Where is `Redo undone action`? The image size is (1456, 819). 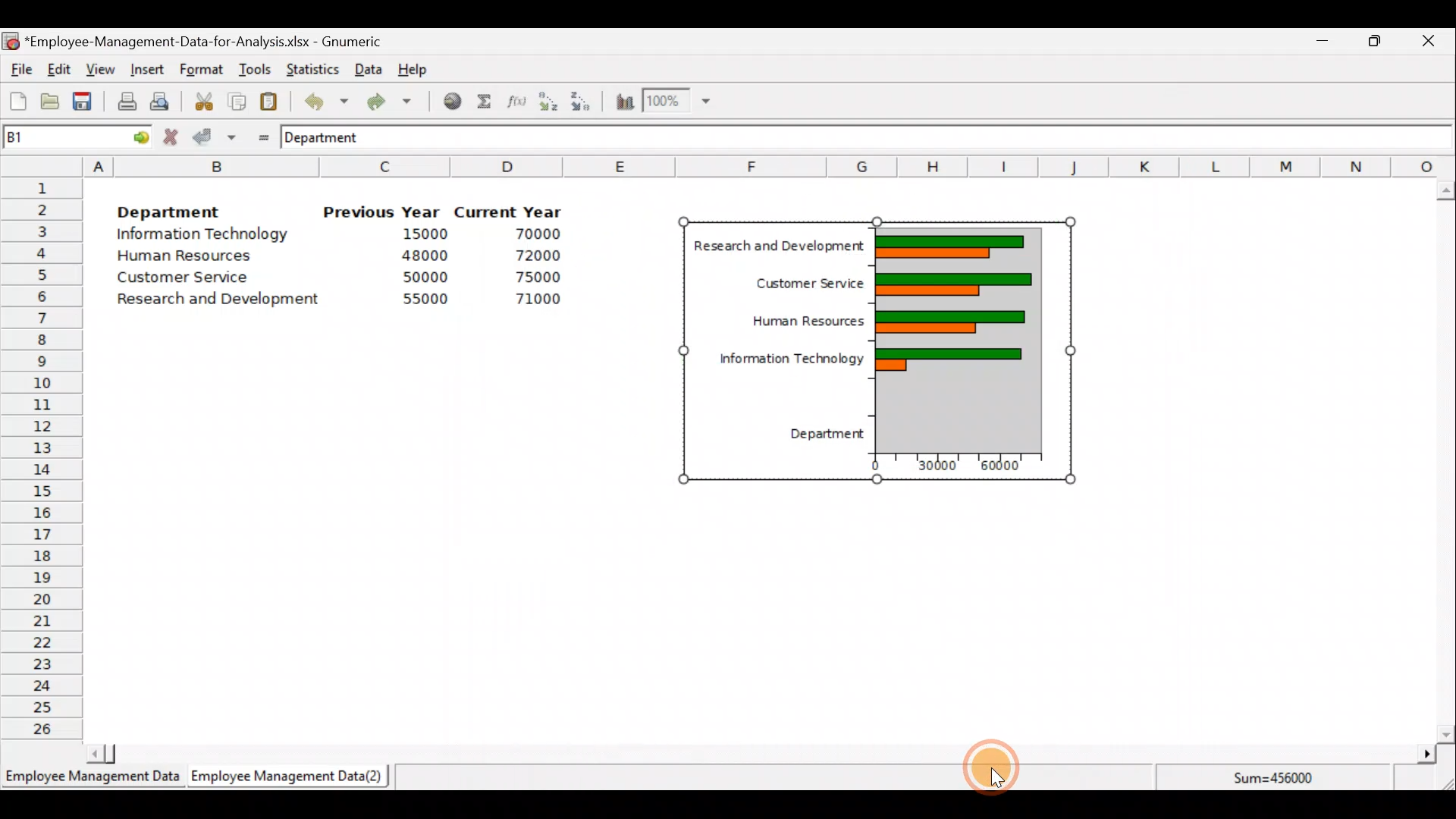
Redo undone action is located at coordinates (386, 102).